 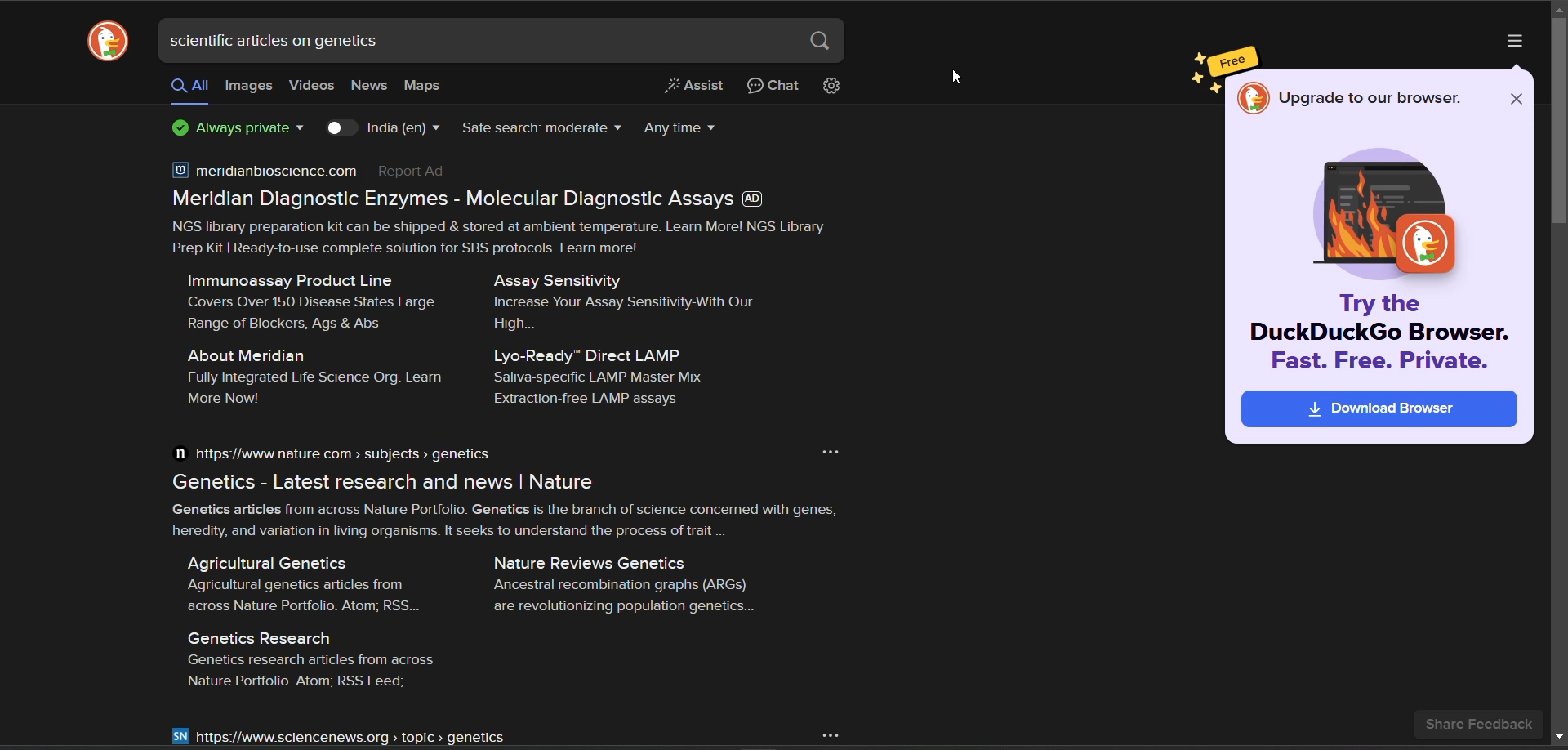 I want to click on SN https://www.sciencenews.org > topic > genetics, so click(x=339, y=736).